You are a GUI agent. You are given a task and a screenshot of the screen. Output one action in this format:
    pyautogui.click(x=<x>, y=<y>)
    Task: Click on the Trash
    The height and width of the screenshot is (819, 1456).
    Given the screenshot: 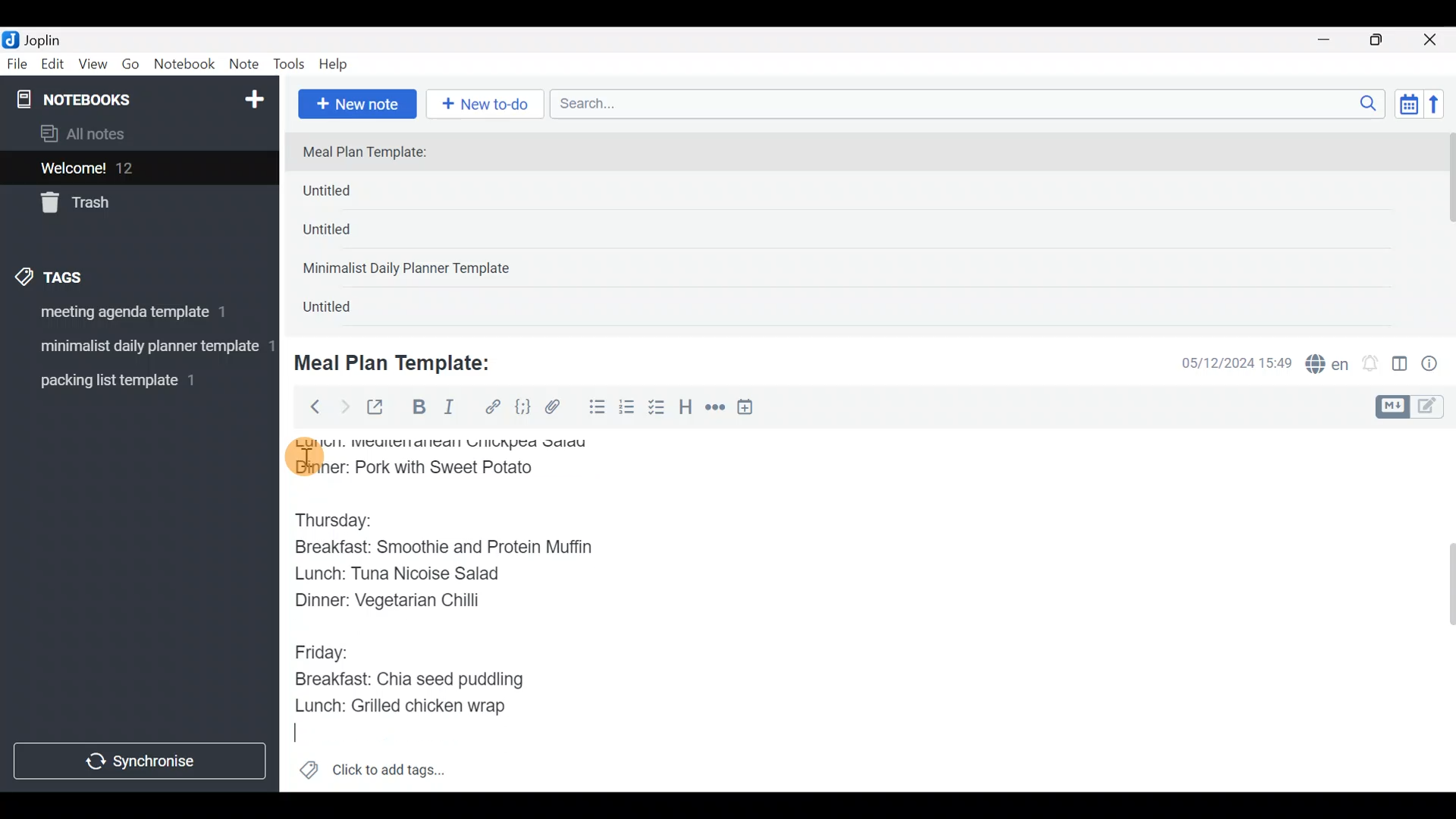 What is the action you would take?
    pyautogui.click(x=130, y=204)
    